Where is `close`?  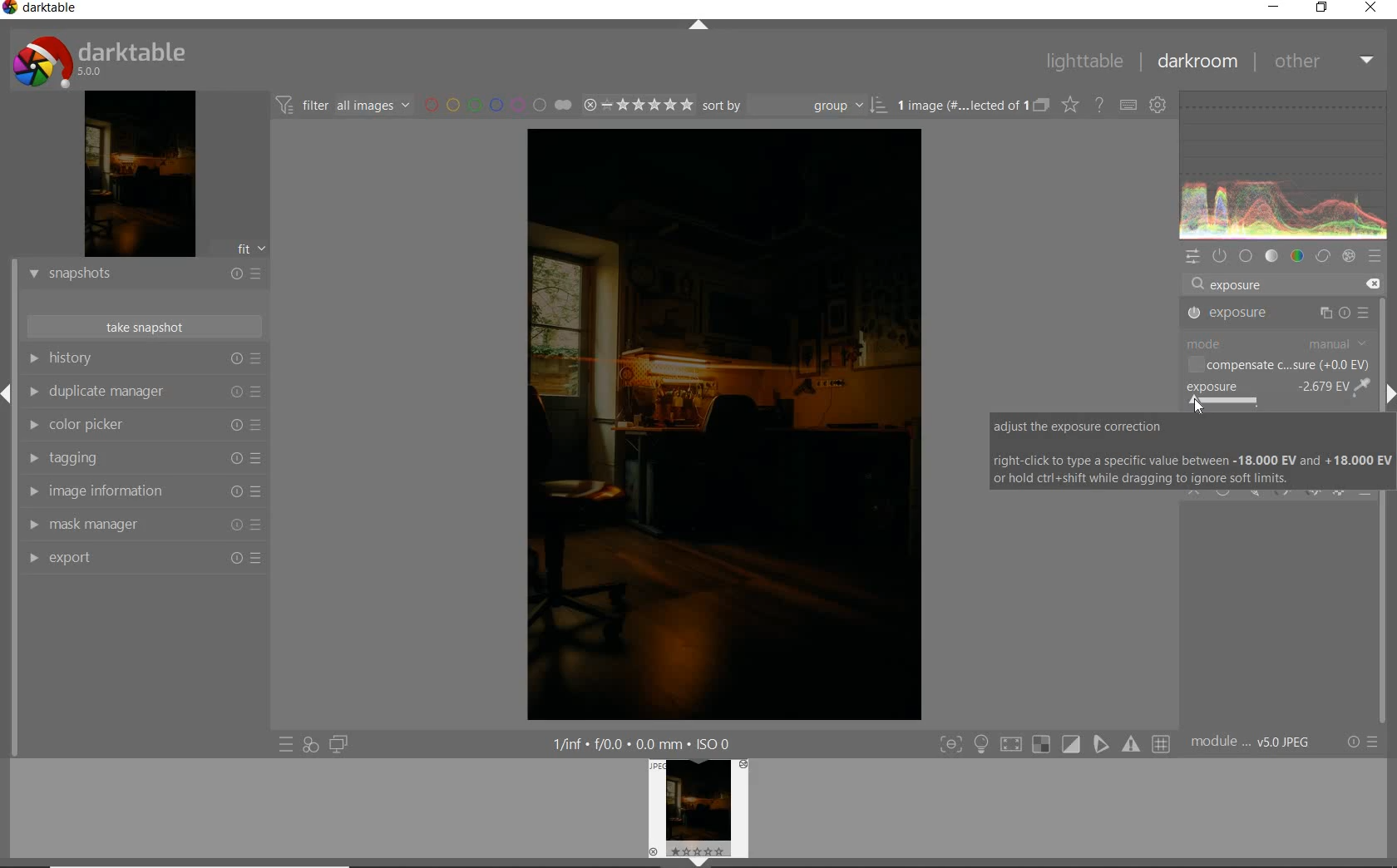
close is located at coordinates (1371, 7).